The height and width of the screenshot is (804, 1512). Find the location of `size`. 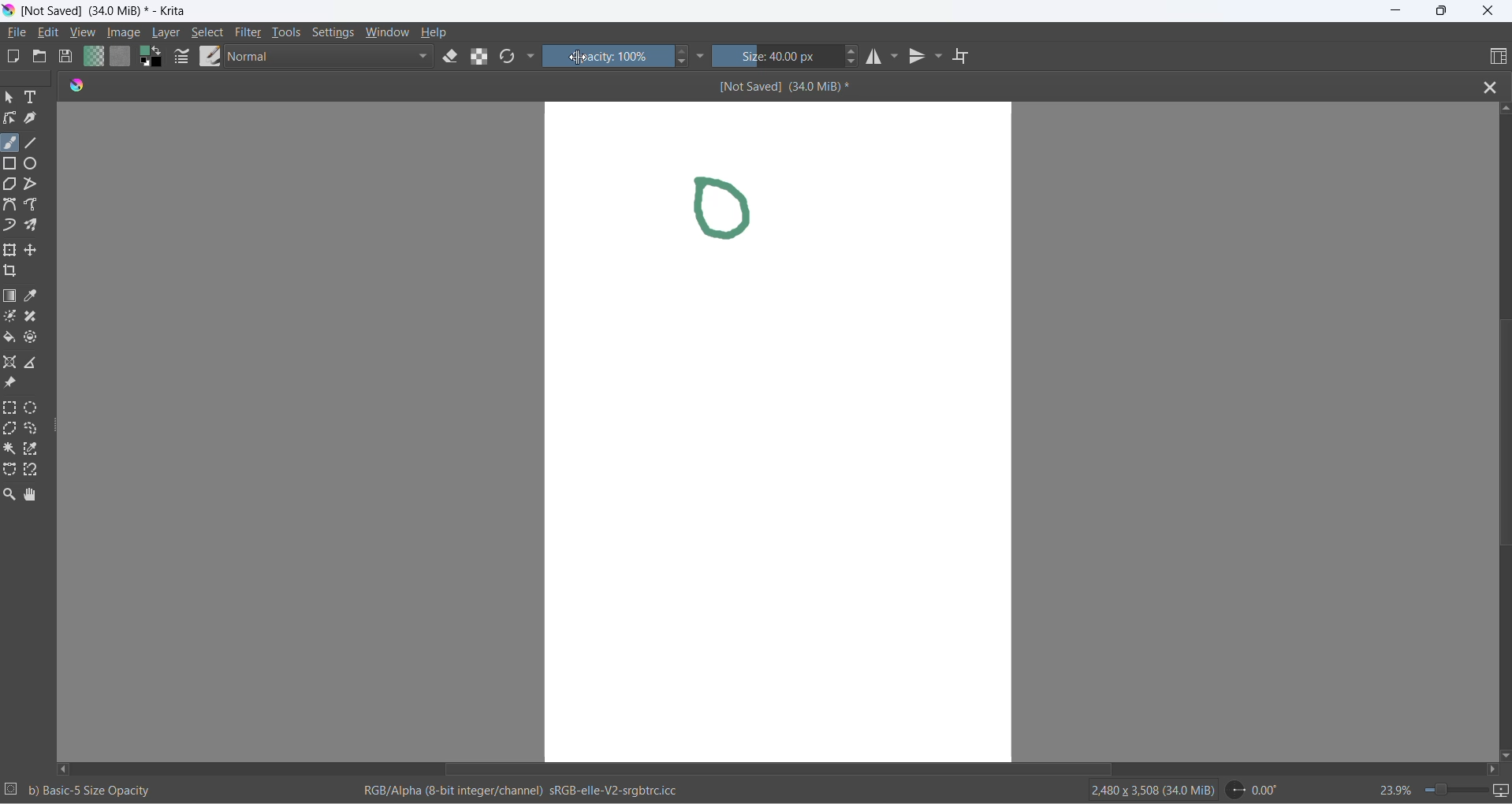

size is located at coordinates (780, 56).